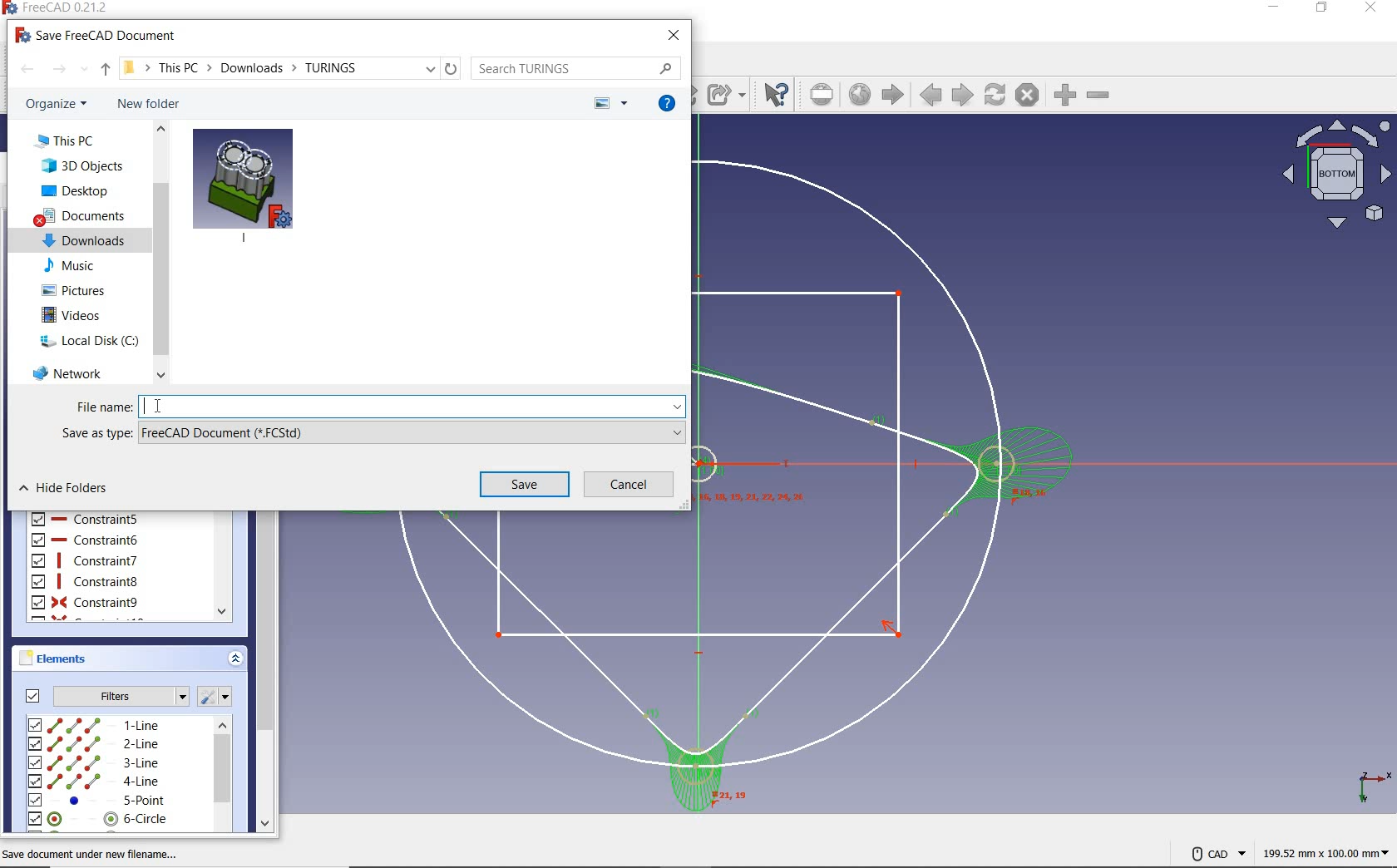  Describe the element at coordinates (1335, 175) in the screenshot. I see `bottom view` at that location.